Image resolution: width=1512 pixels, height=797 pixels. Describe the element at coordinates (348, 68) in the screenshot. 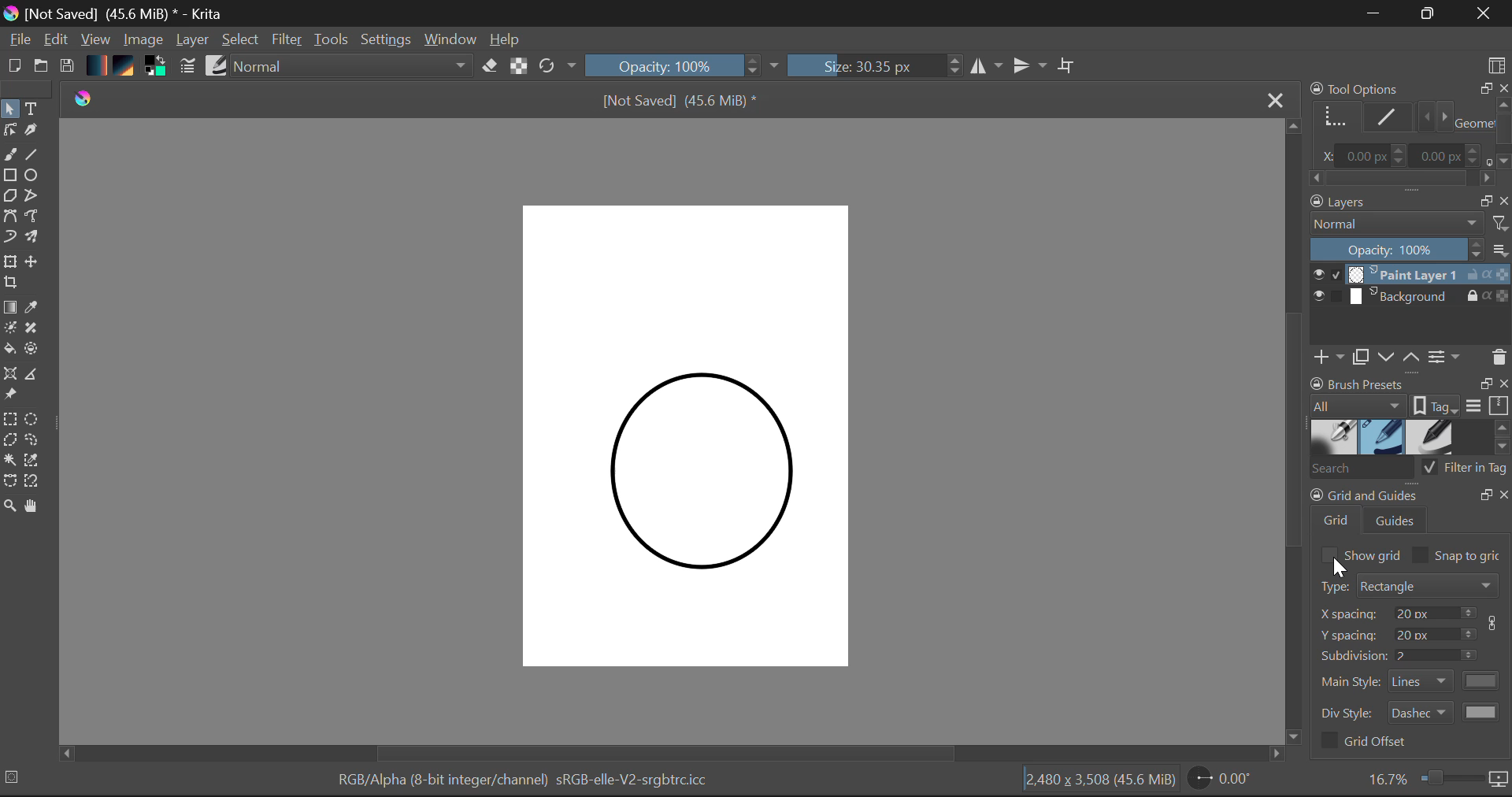

I see `Blending Modes` at that location.